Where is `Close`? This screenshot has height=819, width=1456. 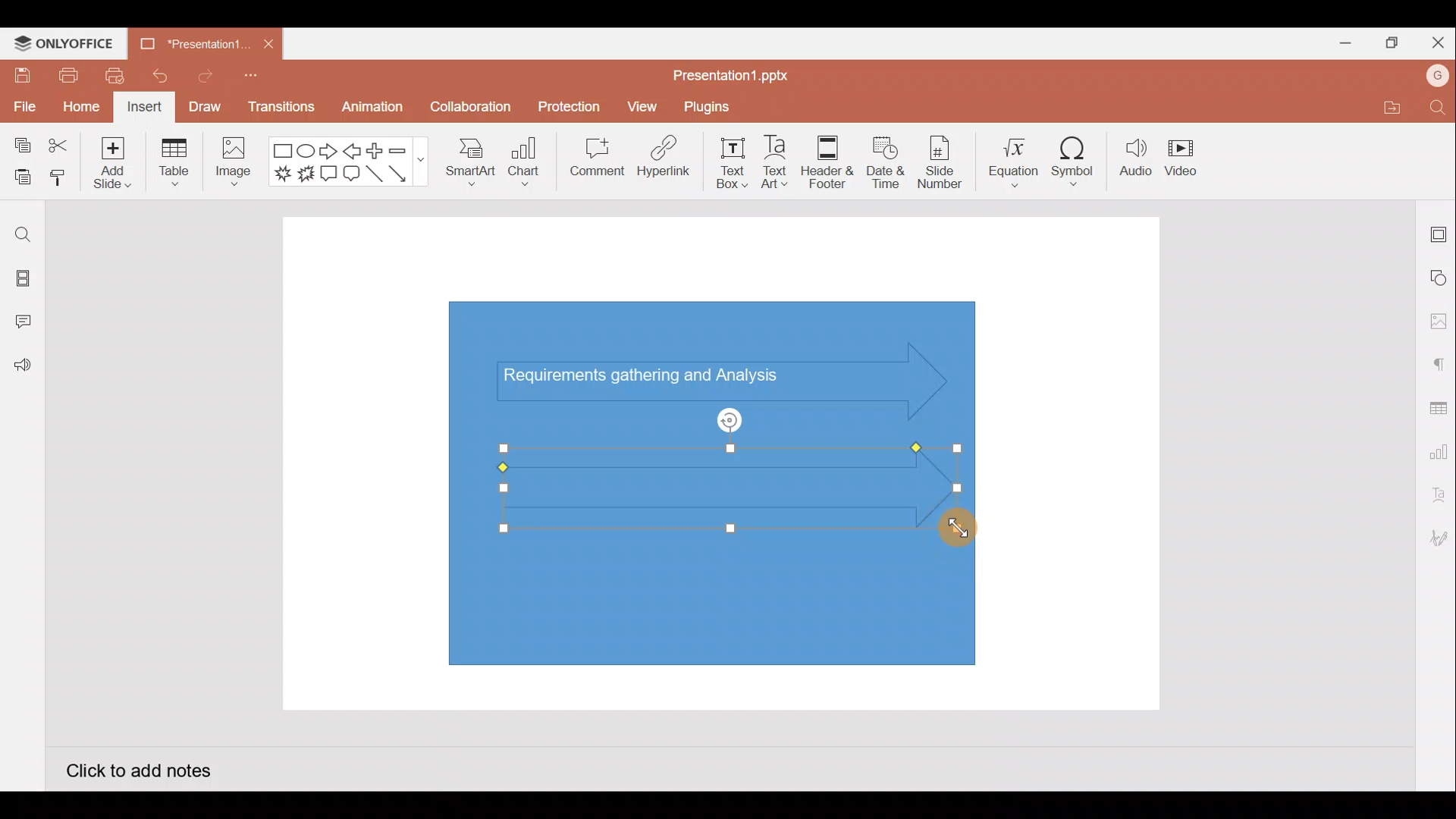
Close is located at coordinates (1435, 39).